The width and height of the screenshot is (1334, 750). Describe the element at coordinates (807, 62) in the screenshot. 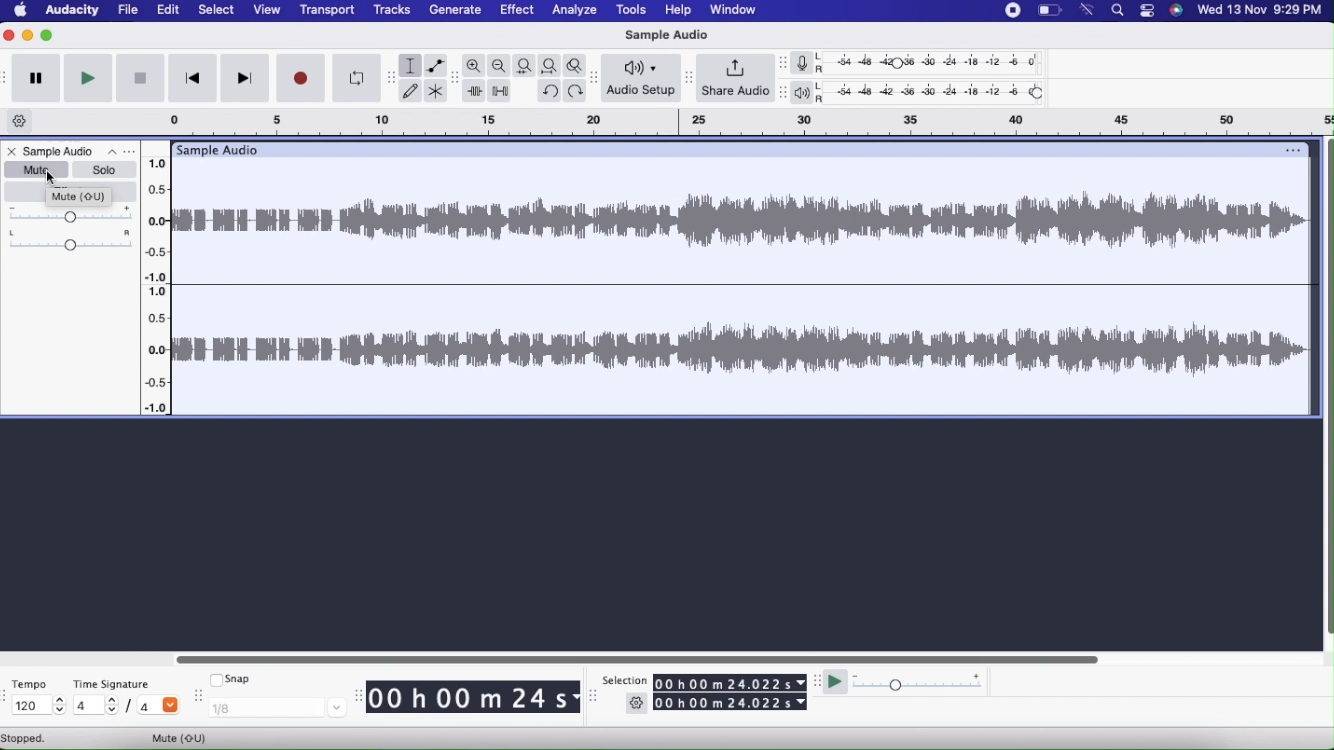

I see `Record meter` at that location.